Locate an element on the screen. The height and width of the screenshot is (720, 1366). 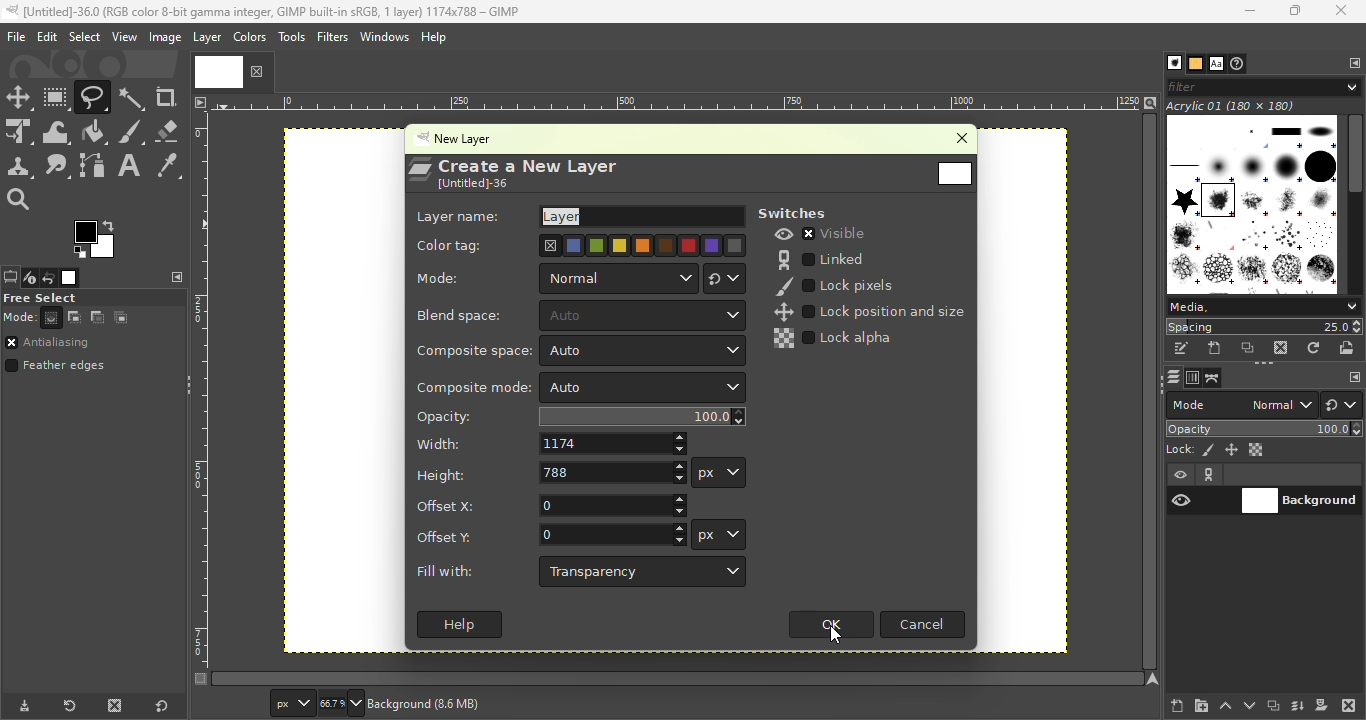
Offset Y is located at coordinates (544, 534).